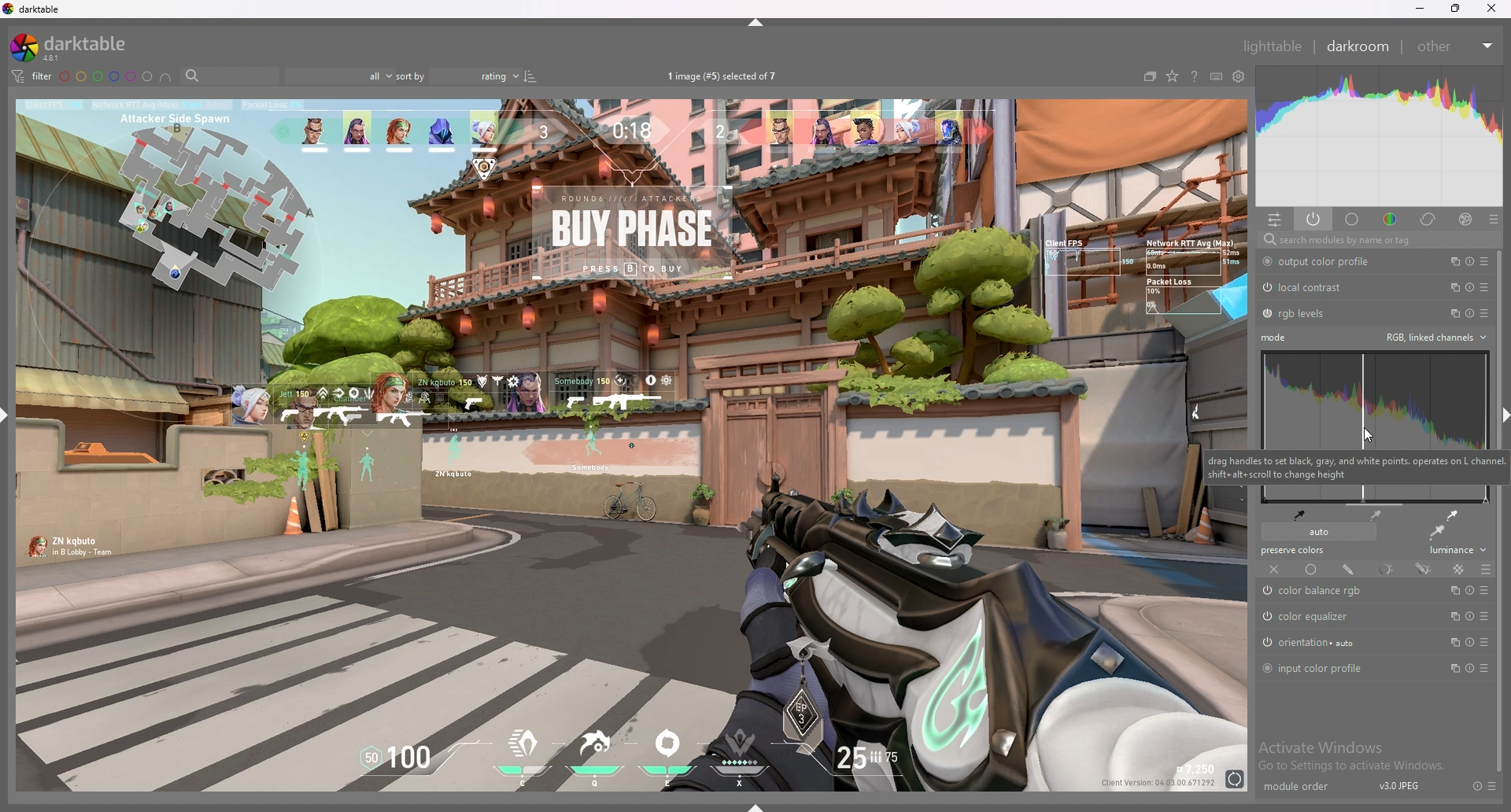  I want to click on heat map, so click(1378, 135).